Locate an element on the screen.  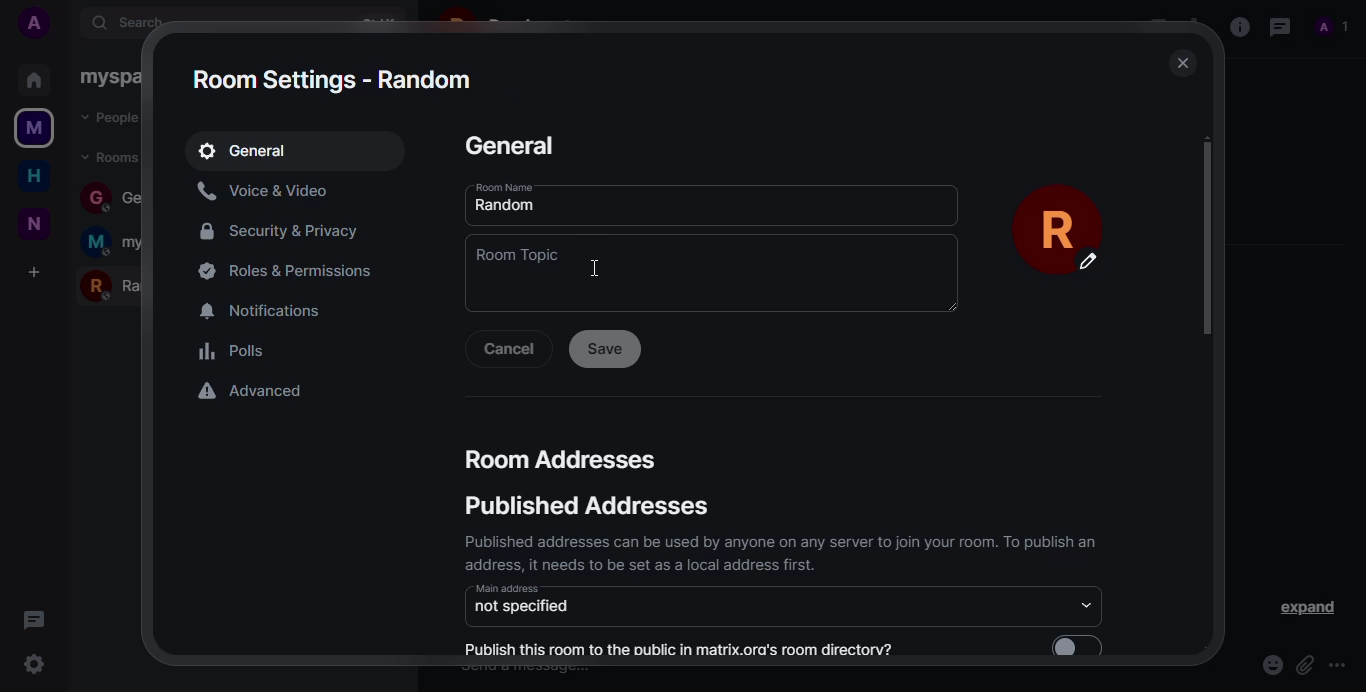
published addresses is located at coordinates (589, 506).